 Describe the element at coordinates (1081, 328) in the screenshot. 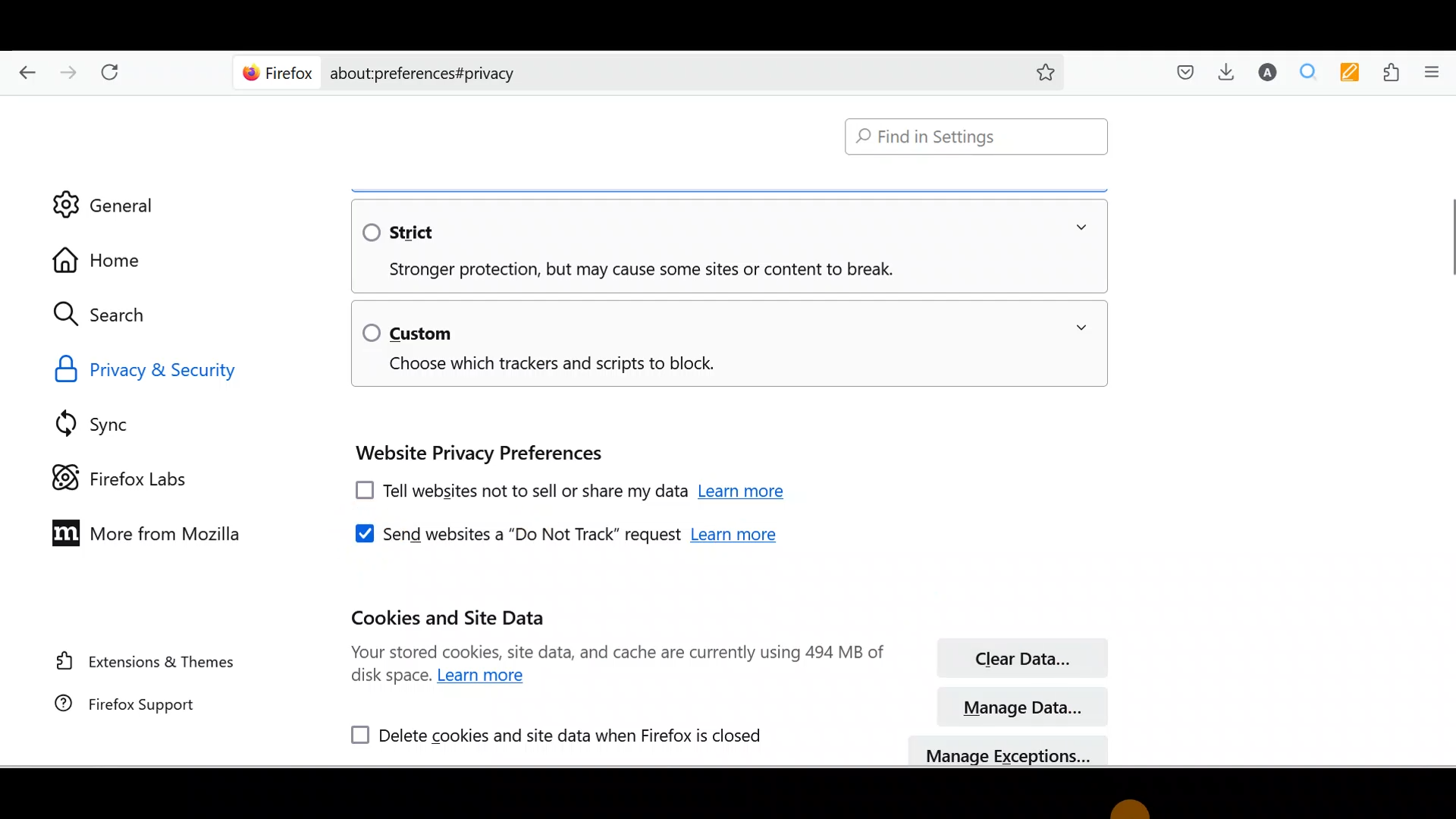

I see `expand` at that location.